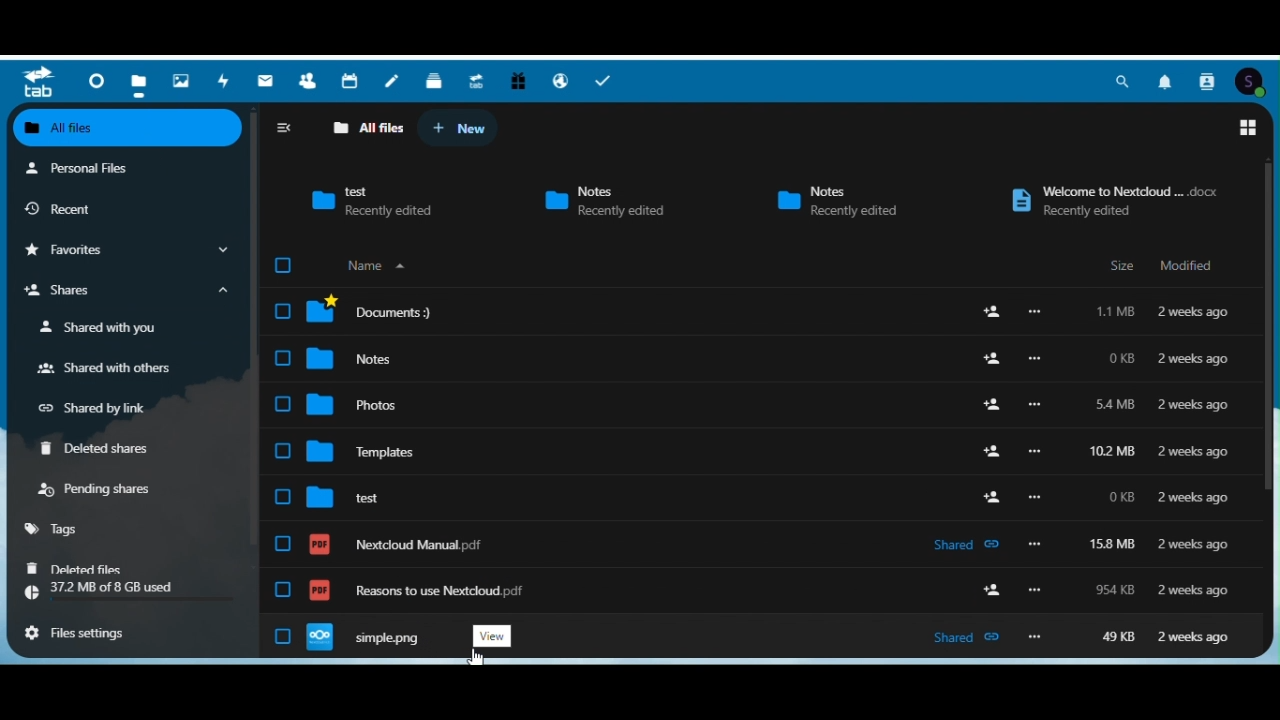 This screenshot has height=720, width=1280. I want to click on size, so click(1116, 312).